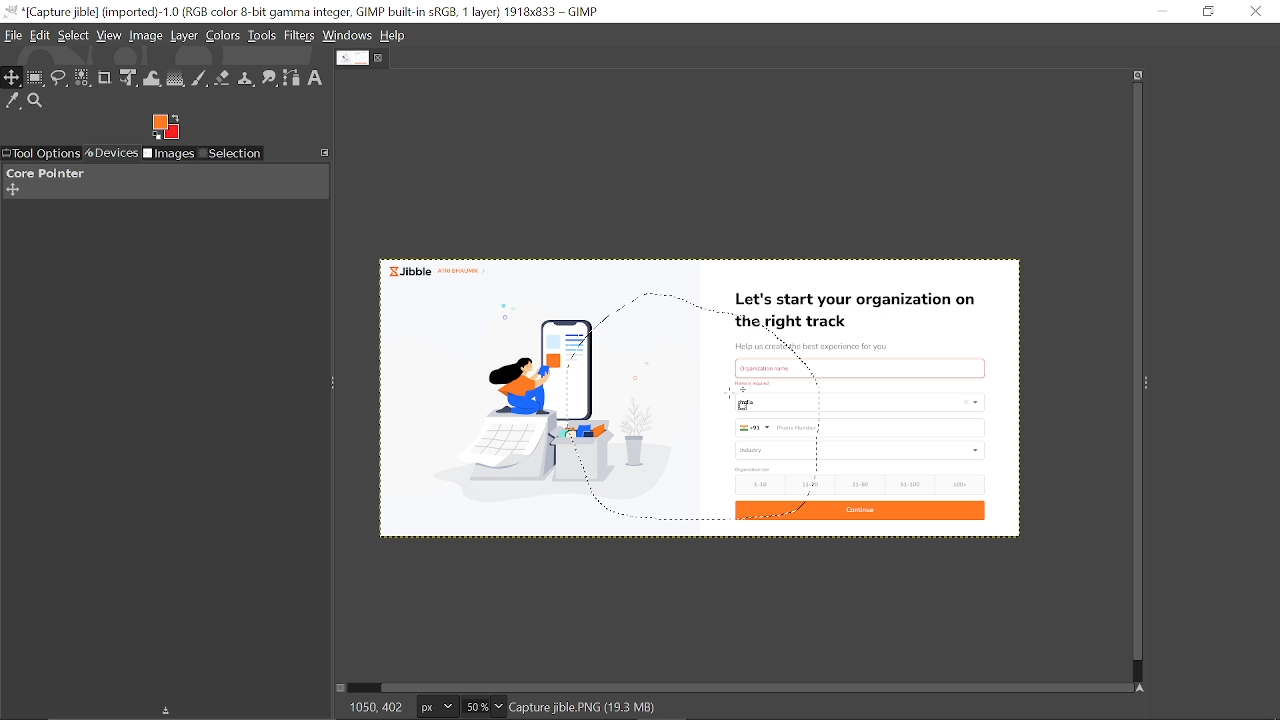  Describe the element at coordinates (177, 79) in the screenshot. I see `Gradient tool` at that location.